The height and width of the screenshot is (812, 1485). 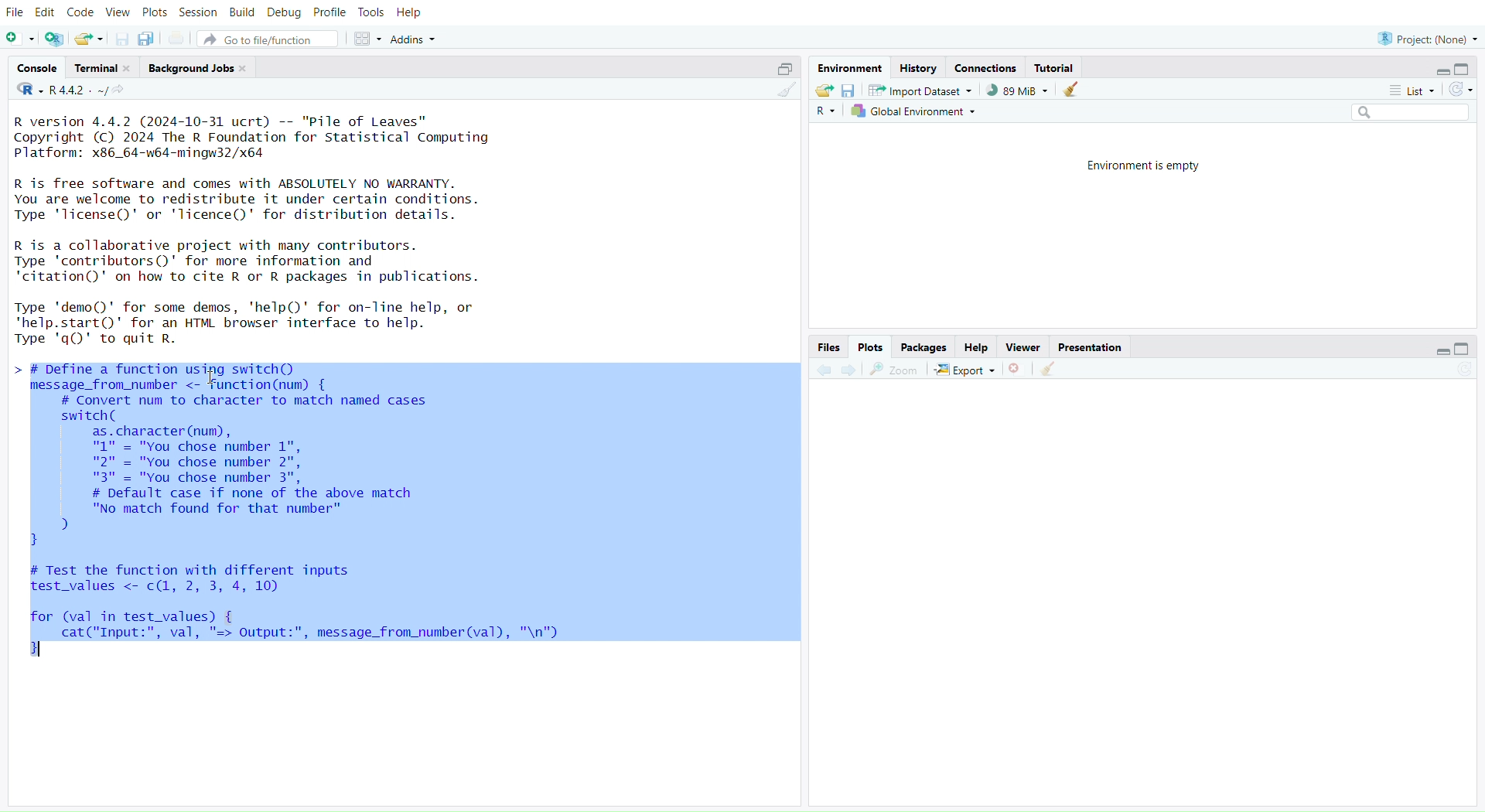 What do you see at coordinates (823, 368) in the screenshot?
I see `Go back to the previous source location (Ctrl + F9)` at bounding box center [823, 368].